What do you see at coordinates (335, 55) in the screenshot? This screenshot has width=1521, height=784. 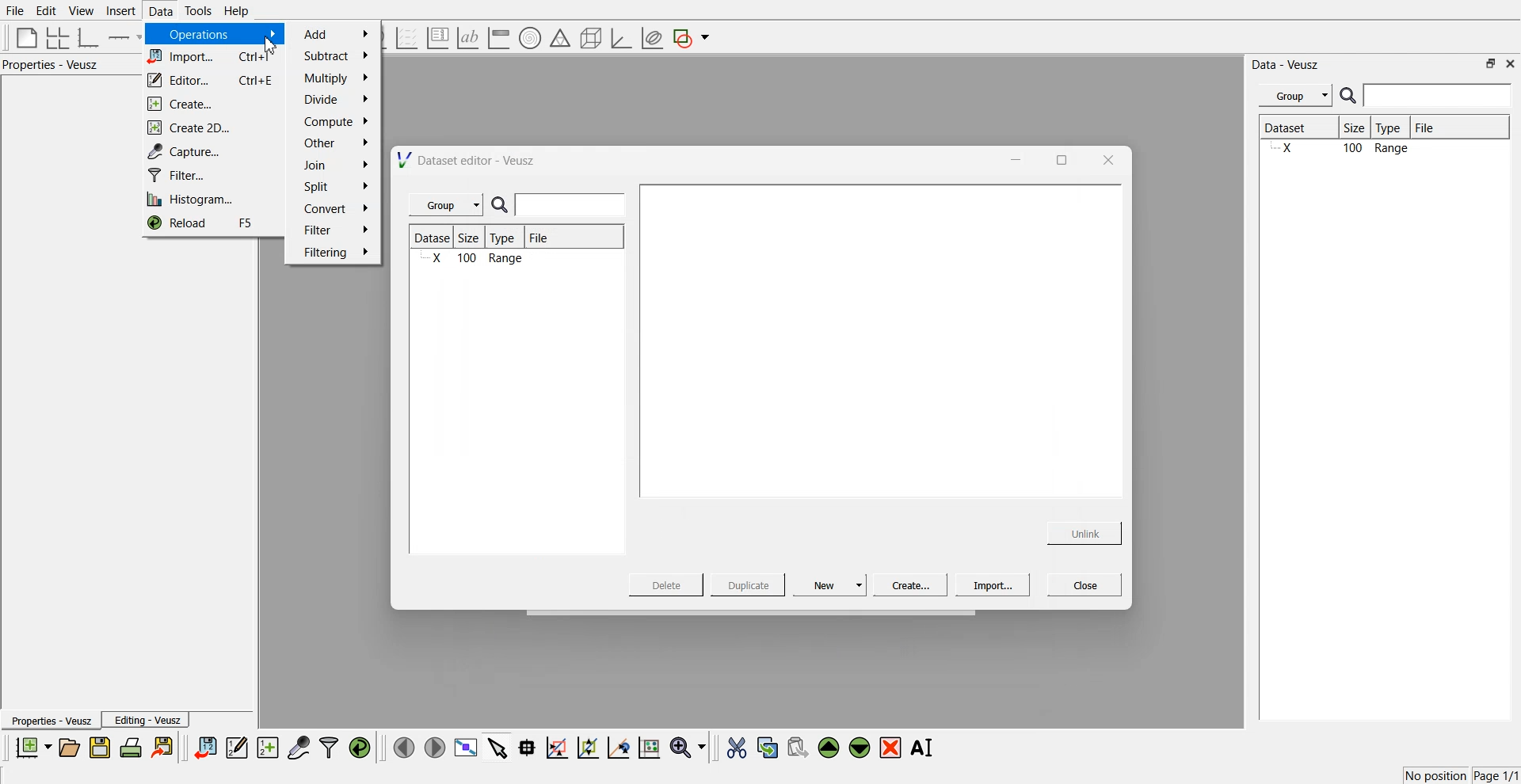 I see `Subtract` at bounding box center [335, 55].